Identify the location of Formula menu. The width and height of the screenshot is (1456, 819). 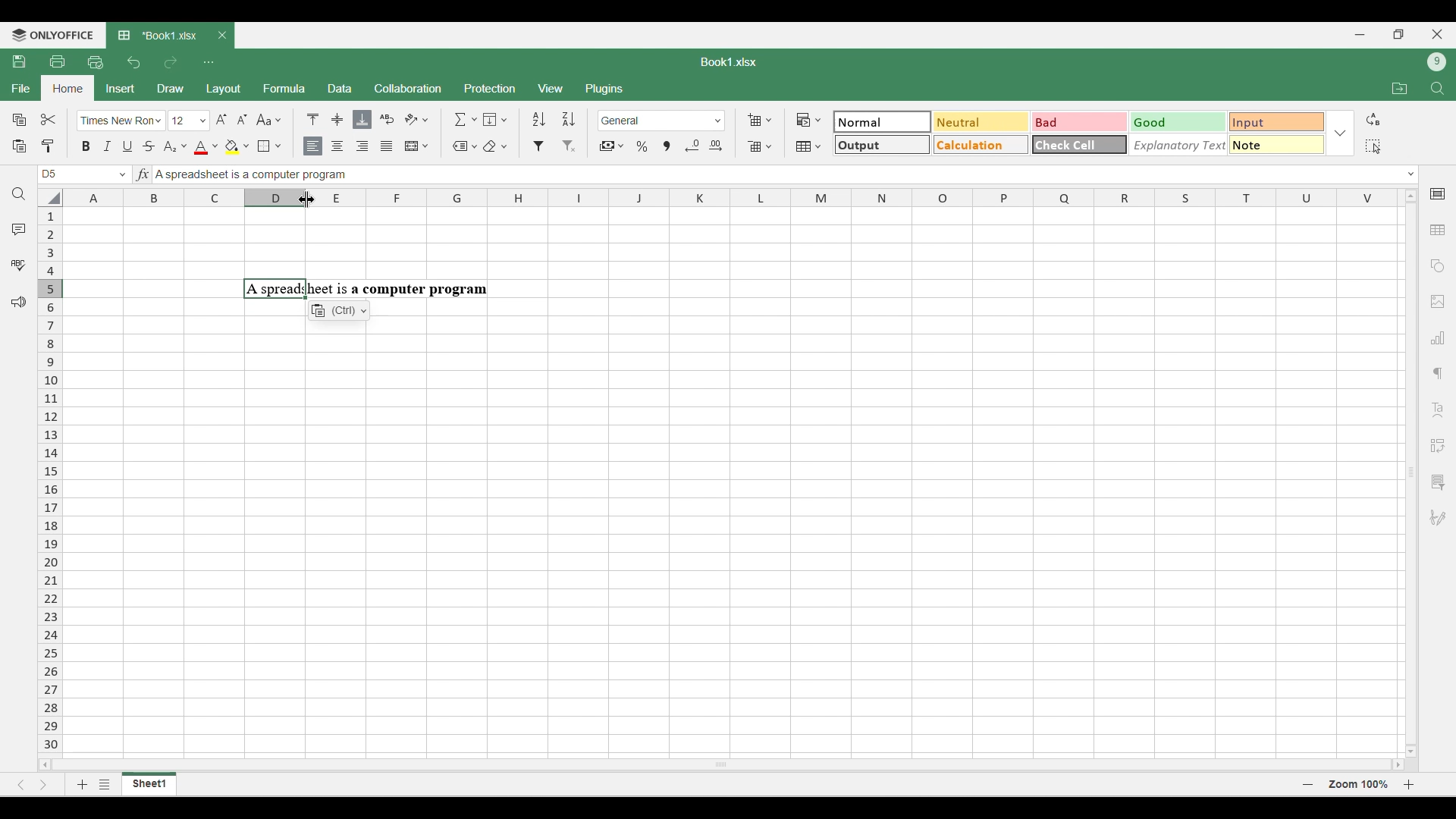
(284, 88).